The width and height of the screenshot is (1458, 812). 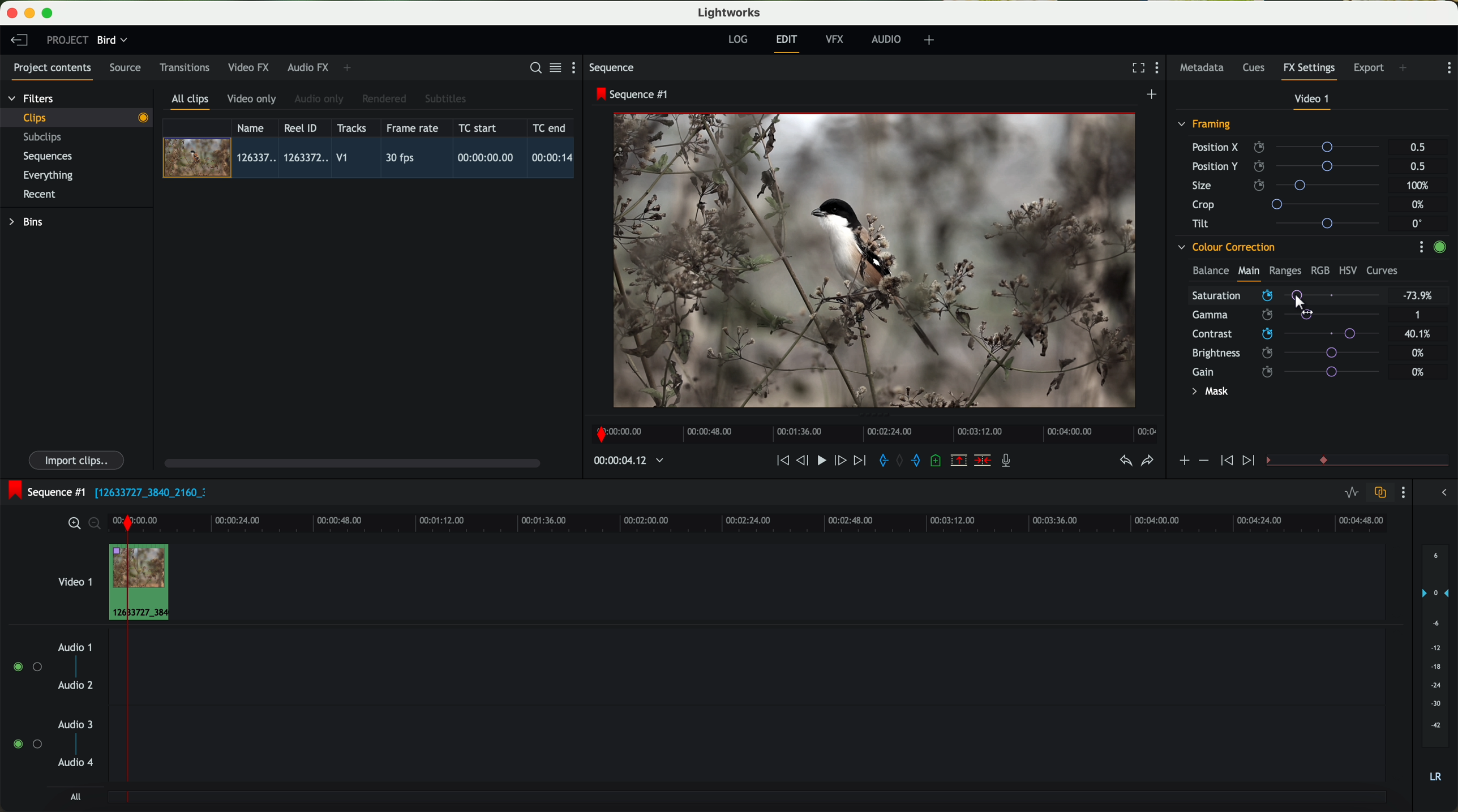 I want to click on add a cue at the current position, so click(x=937, y=461).